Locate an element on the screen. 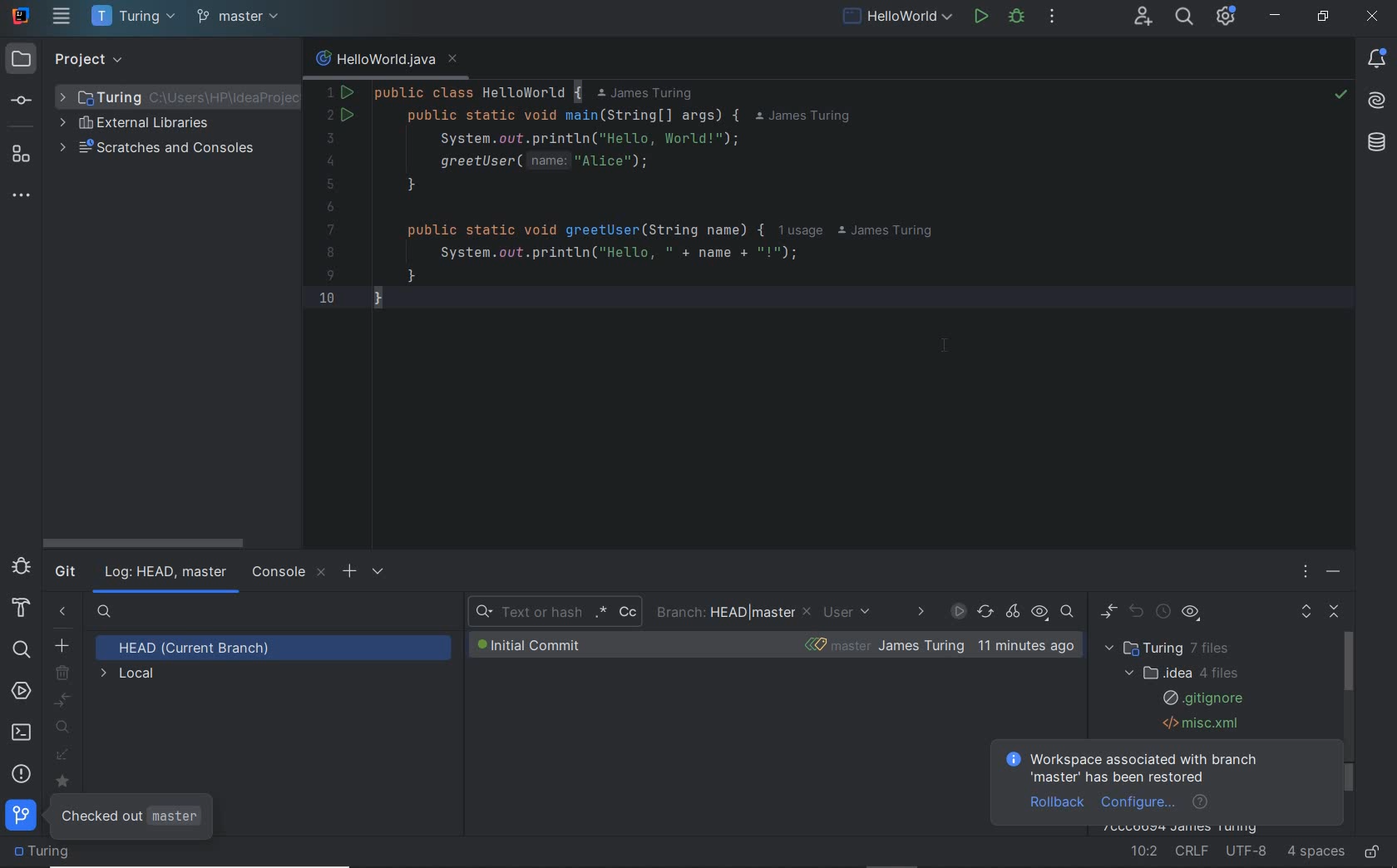 This screenshot has height=868, width=1397. CHECKED OUT is located at coordinates (131, 817).